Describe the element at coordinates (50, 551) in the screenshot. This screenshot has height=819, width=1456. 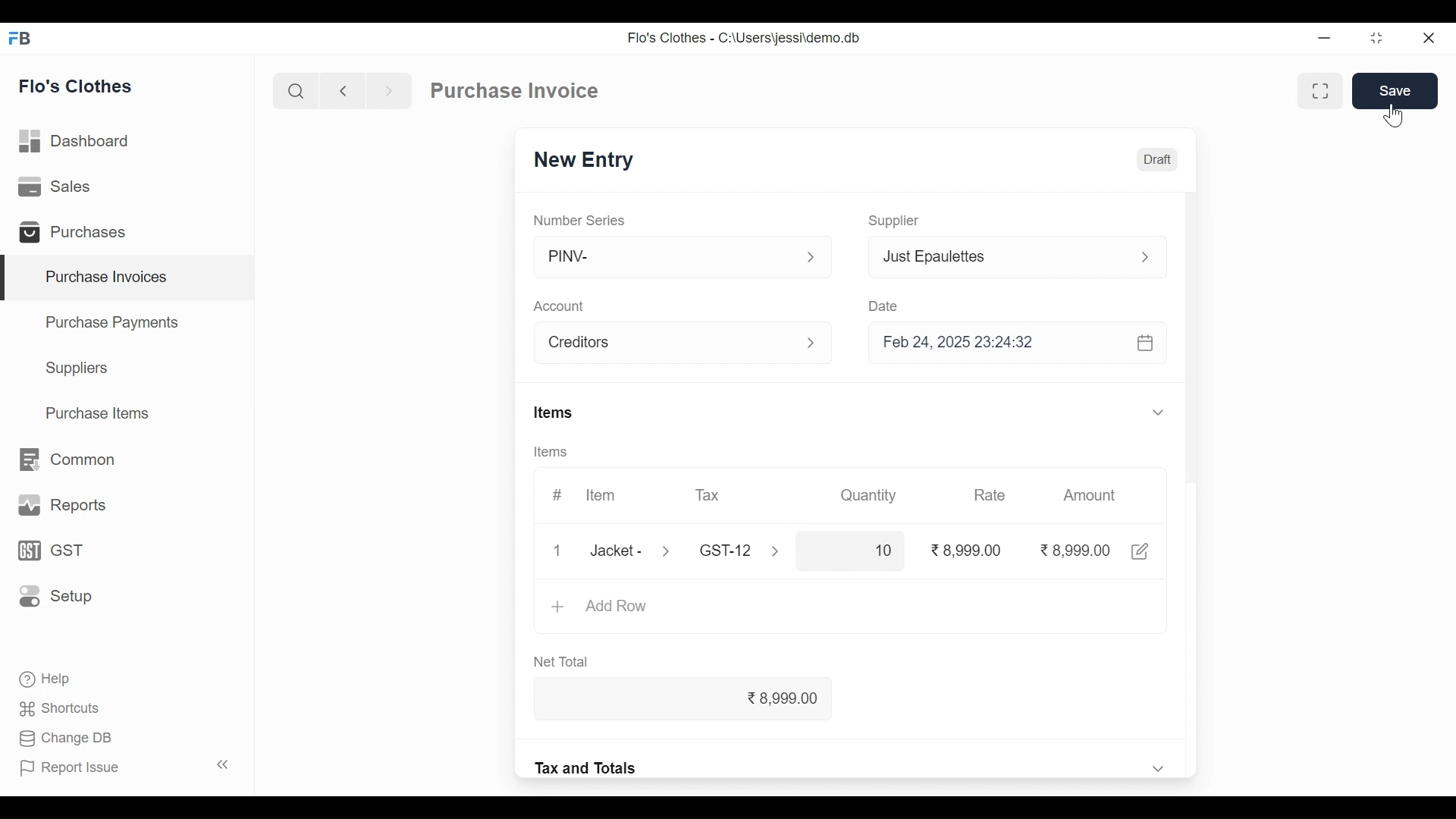
I see `GST` at that location.